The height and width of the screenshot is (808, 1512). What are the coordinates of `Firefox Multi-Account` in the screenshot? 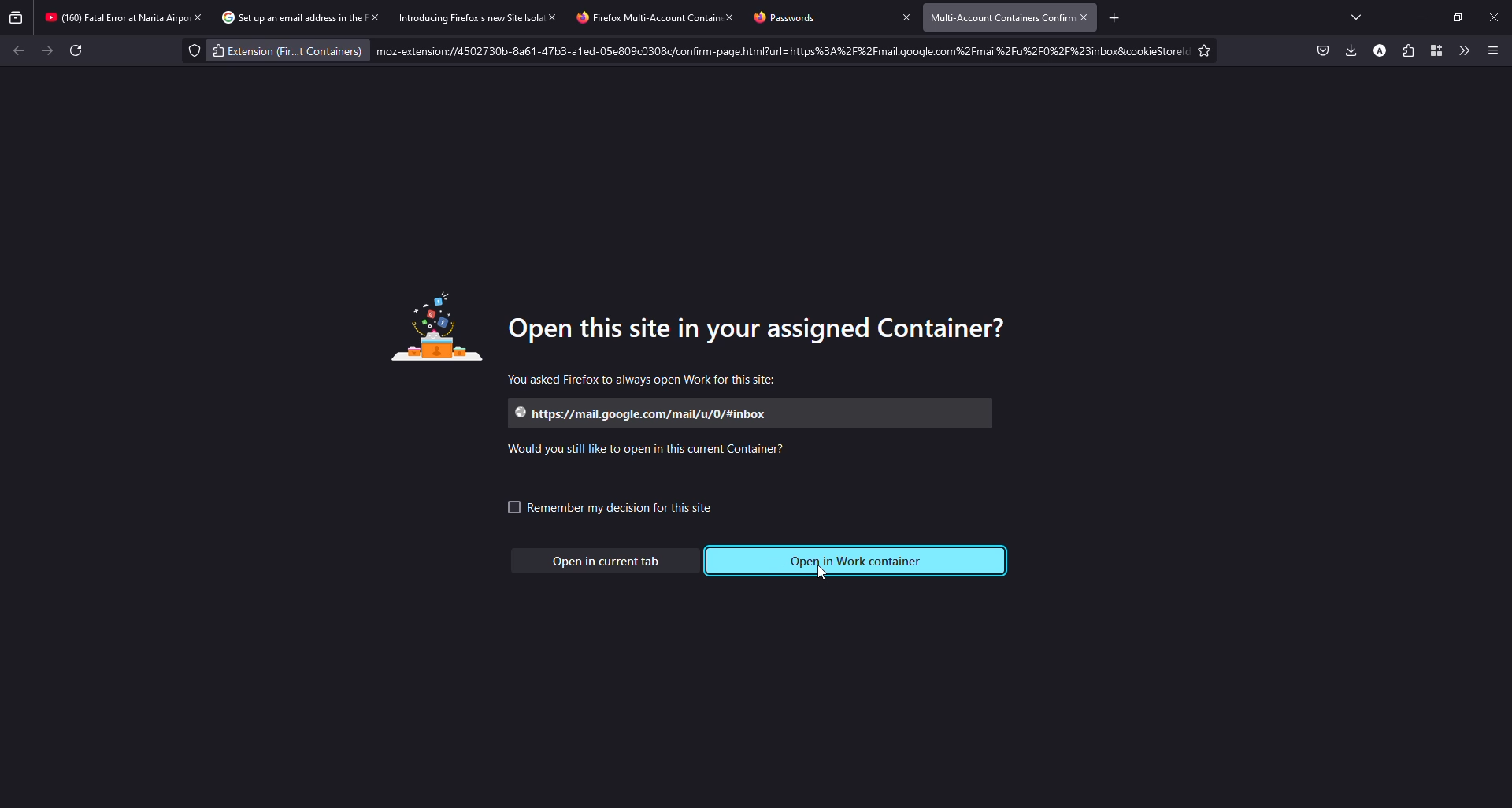 It's located at (630, 18).